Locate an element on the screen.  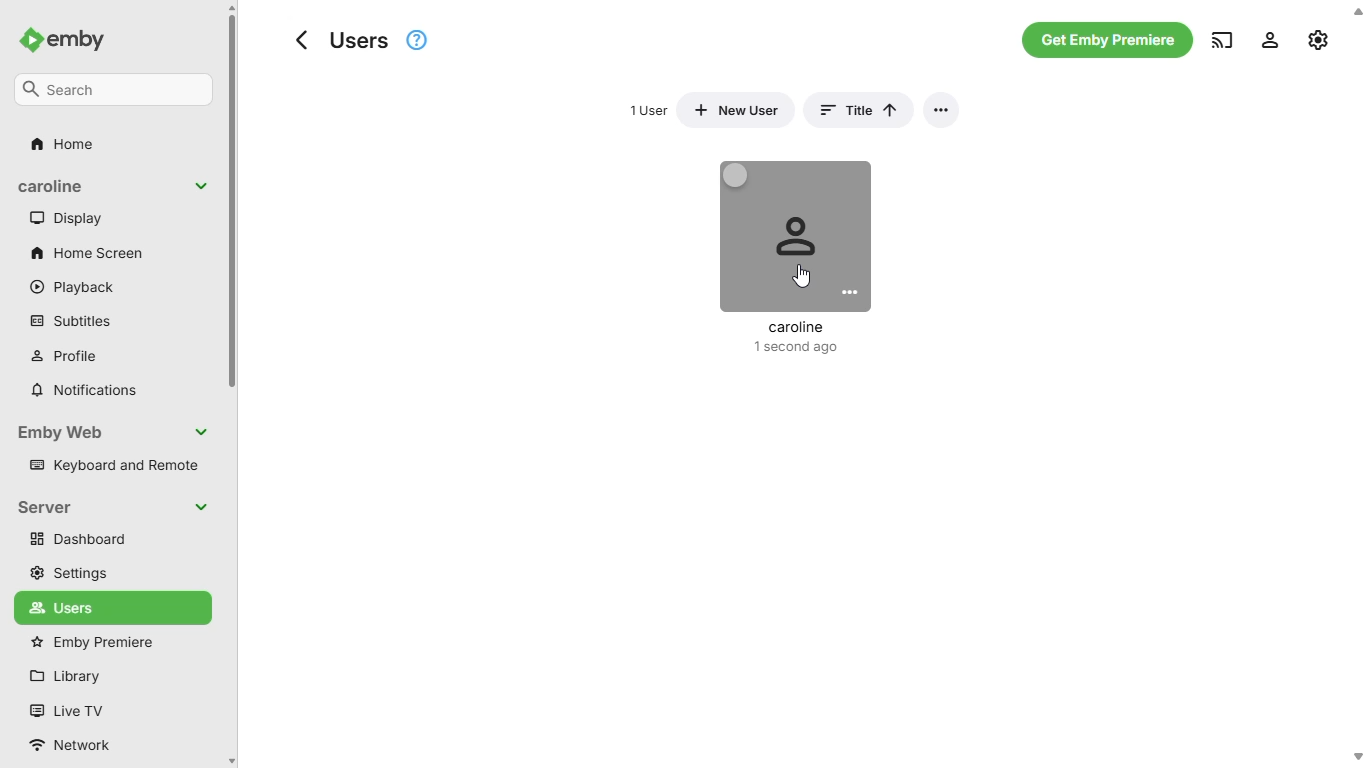
home screen is located at coordinates (87, 253).